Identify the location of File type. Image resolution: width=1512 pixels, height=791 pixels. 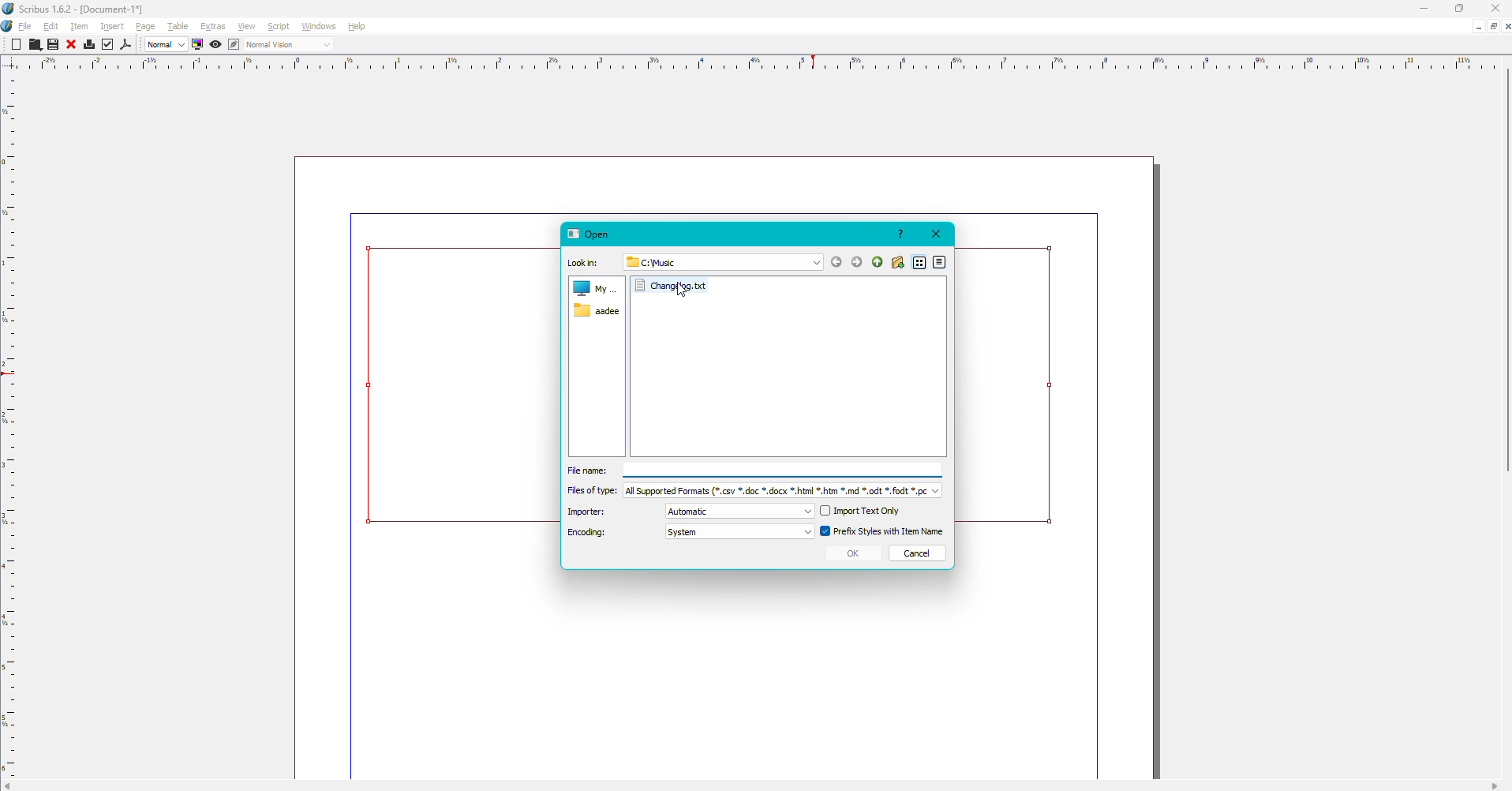
(750, 492).